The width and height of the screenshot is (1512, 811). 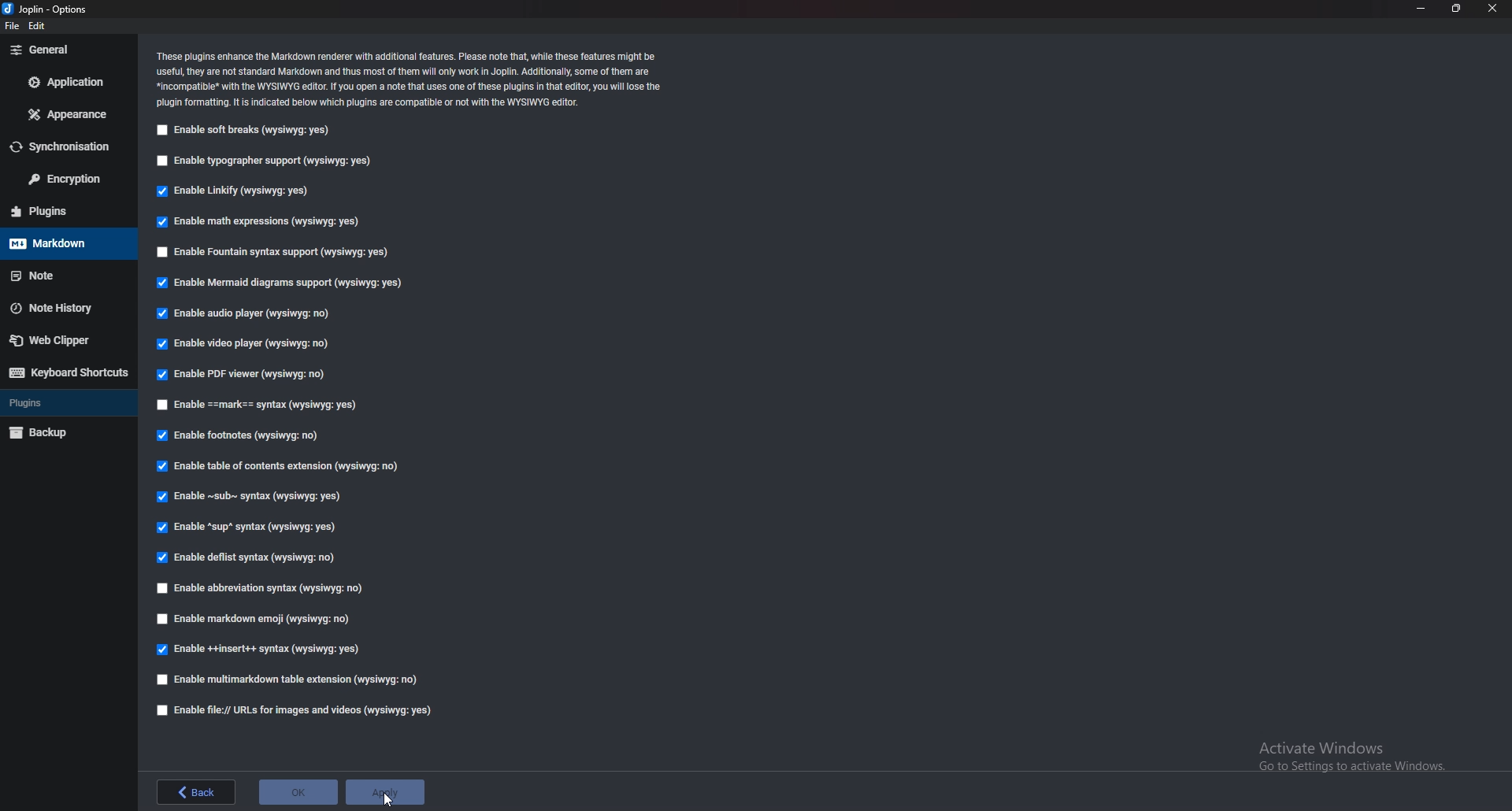 I want to click on Enable math expressions, so click(x=256, y=222).